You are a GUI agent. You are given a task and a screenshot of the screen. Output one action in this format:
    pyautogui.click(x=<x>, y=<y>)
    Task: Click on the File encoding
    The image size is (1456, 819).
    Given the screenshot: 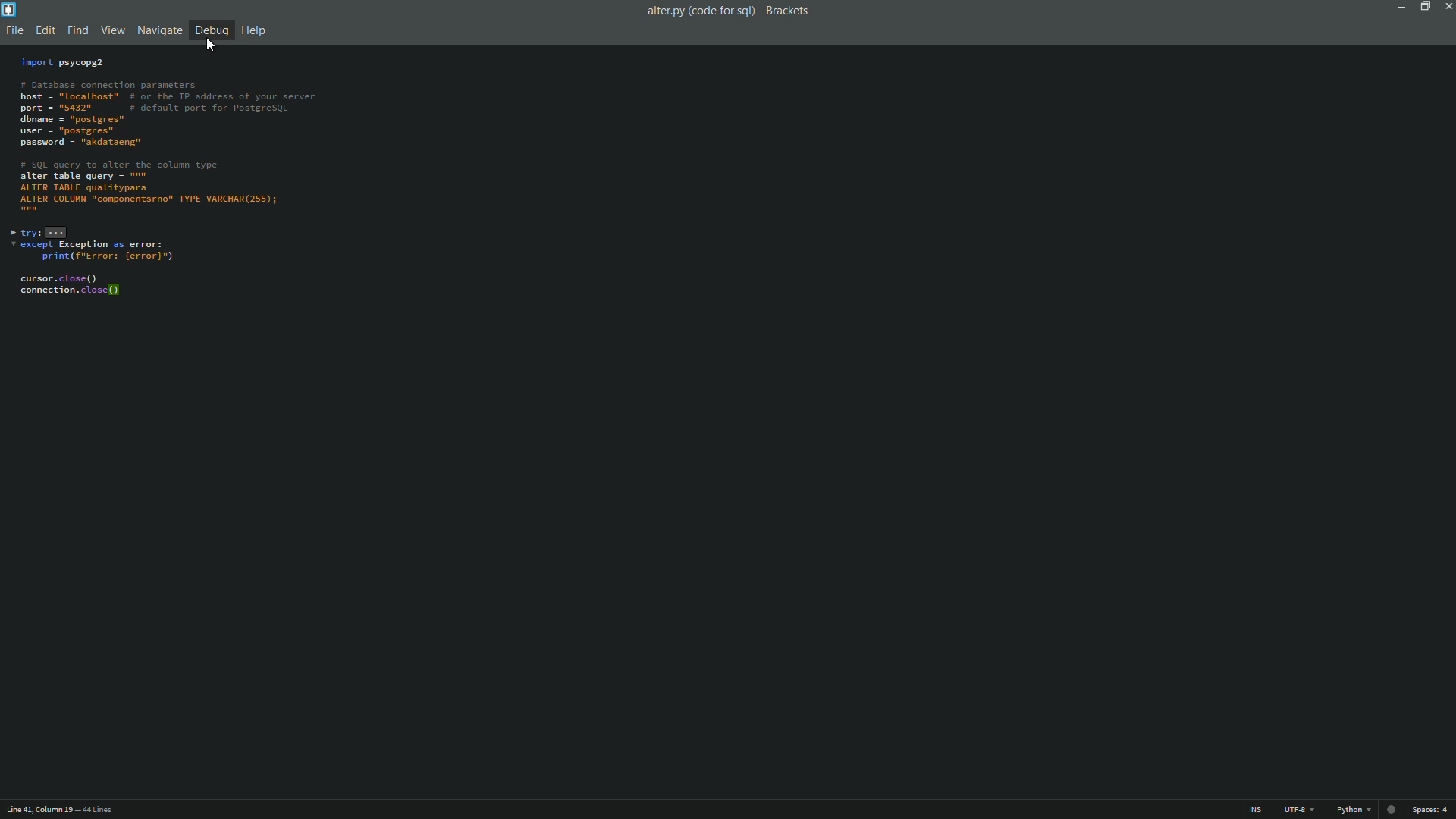 What is the action you would take?
    pyautogui.click(x=1302, y=811)
    